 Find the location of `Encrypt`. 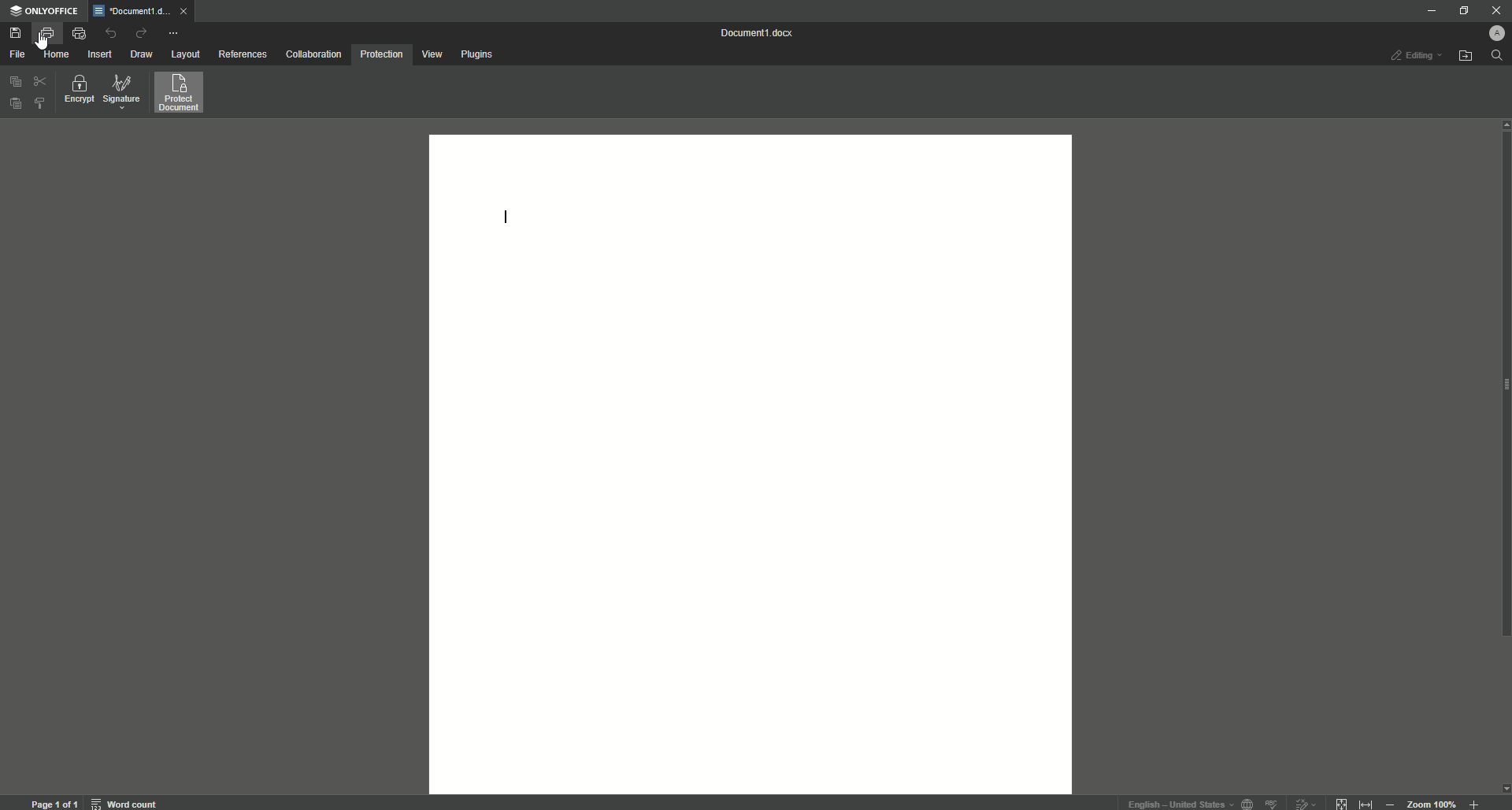

Encrypt is located at coordinates (76, 92).